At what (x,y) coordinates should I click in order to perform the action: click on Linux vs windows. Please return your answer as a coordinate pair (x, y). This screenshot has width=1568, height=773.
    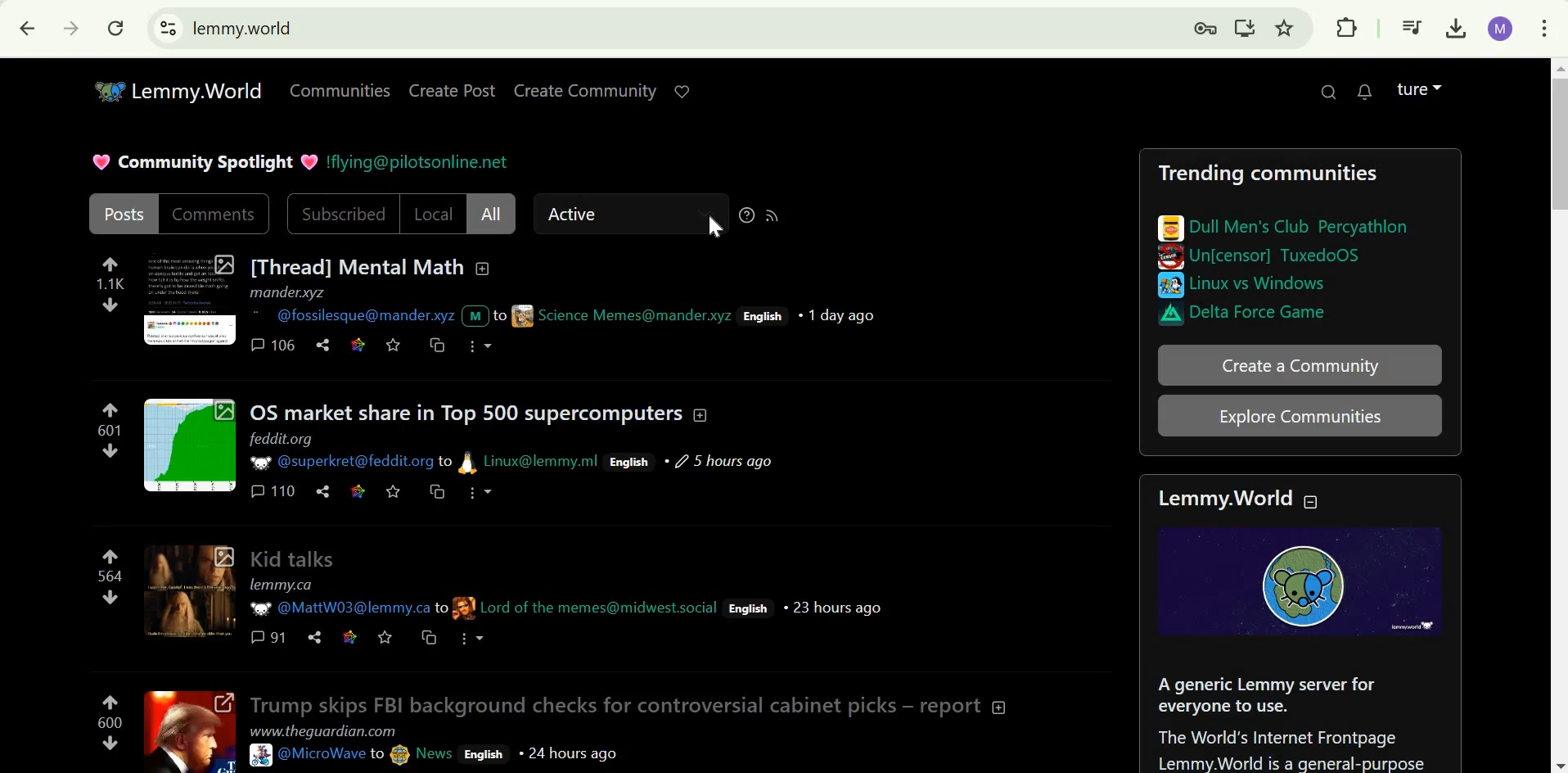
    Looking at the image, I should click on (1262, 284).